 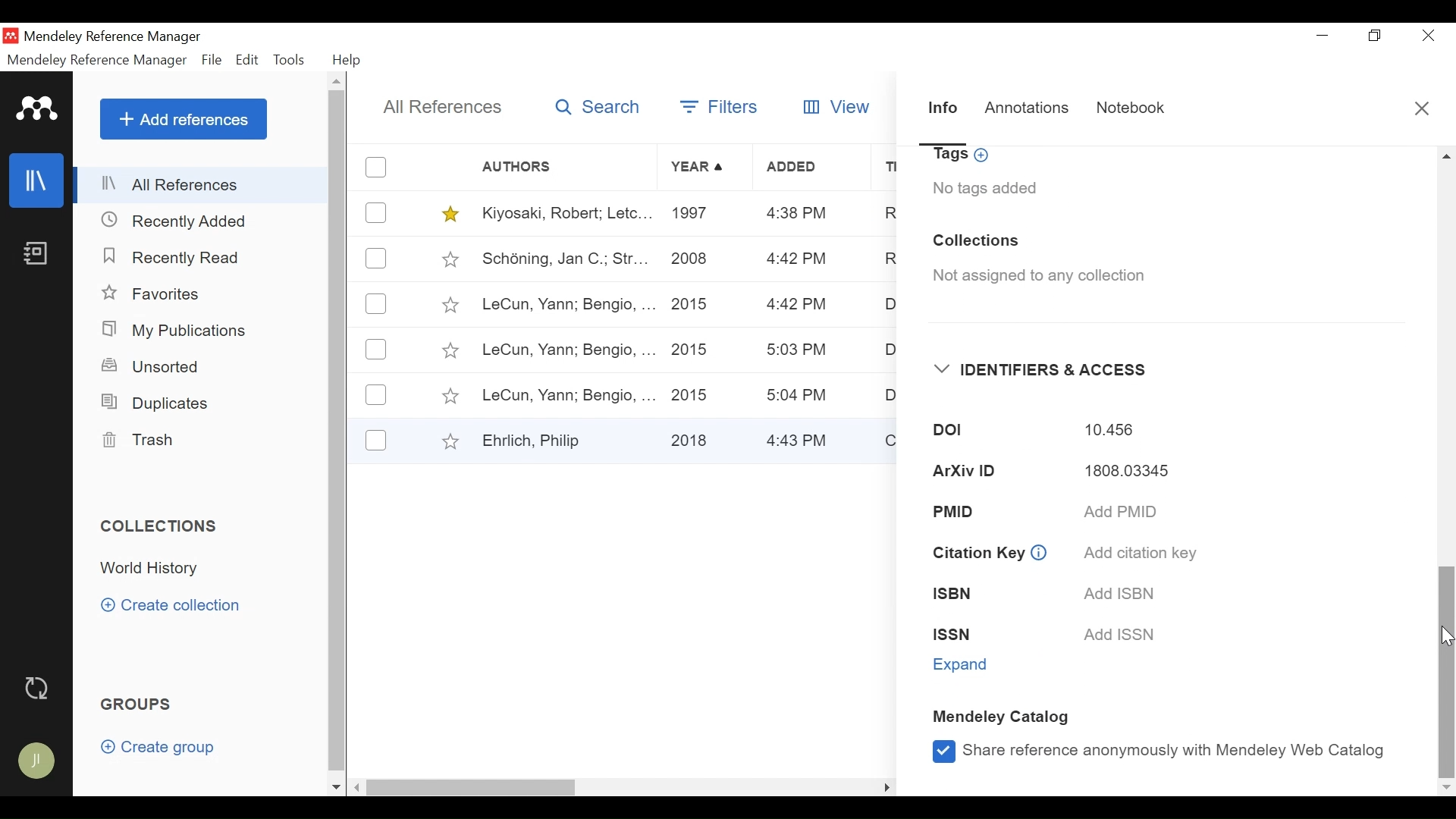 What do you see at coordinates (1041, 370) in the screenshot?
I see `Identifiers & Access` at bounding box center [1041, 370].